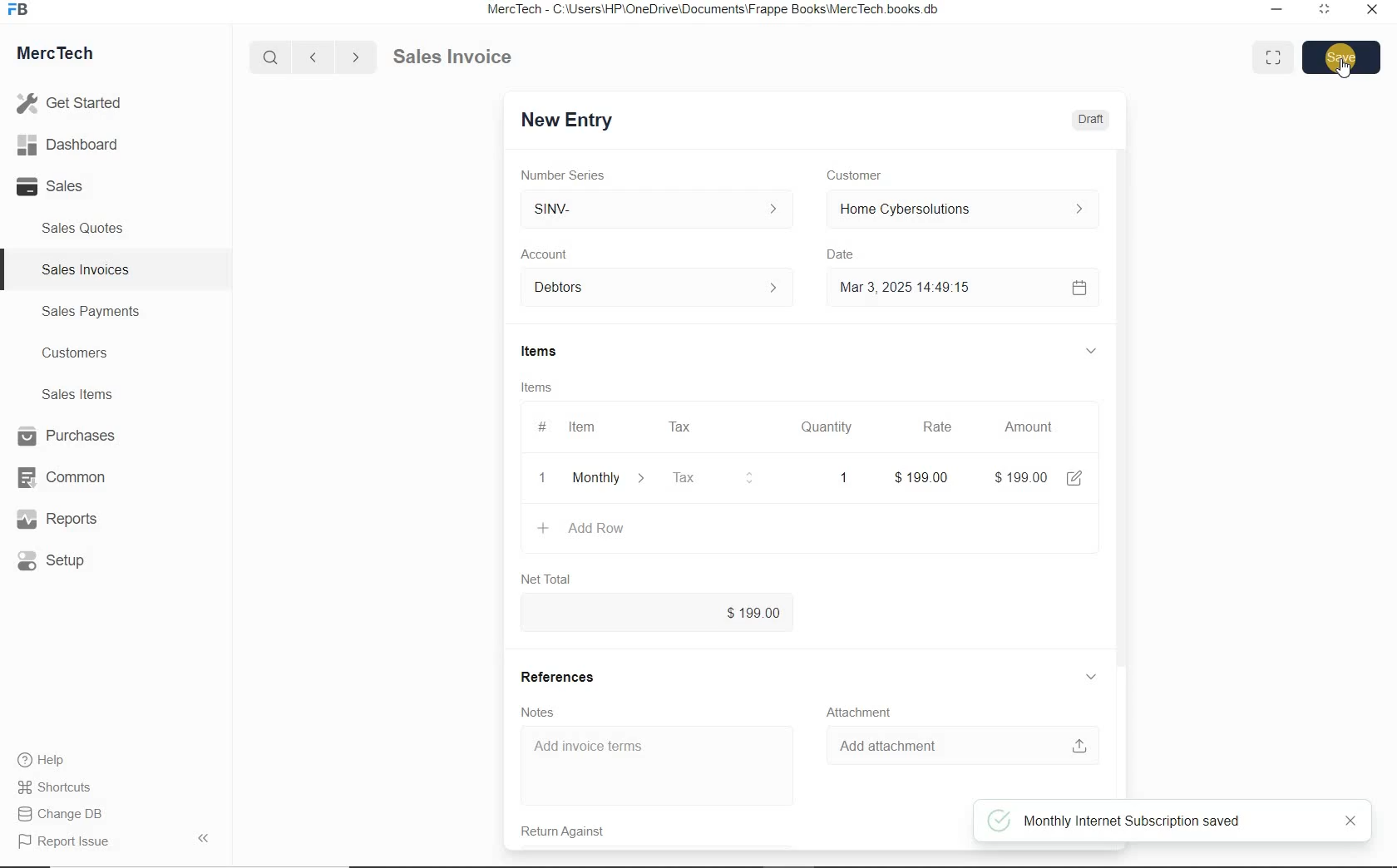  What do you see at coordinates (565, 121) in the screenshot?
I see `New Entry` at bounding box center [565, 121].